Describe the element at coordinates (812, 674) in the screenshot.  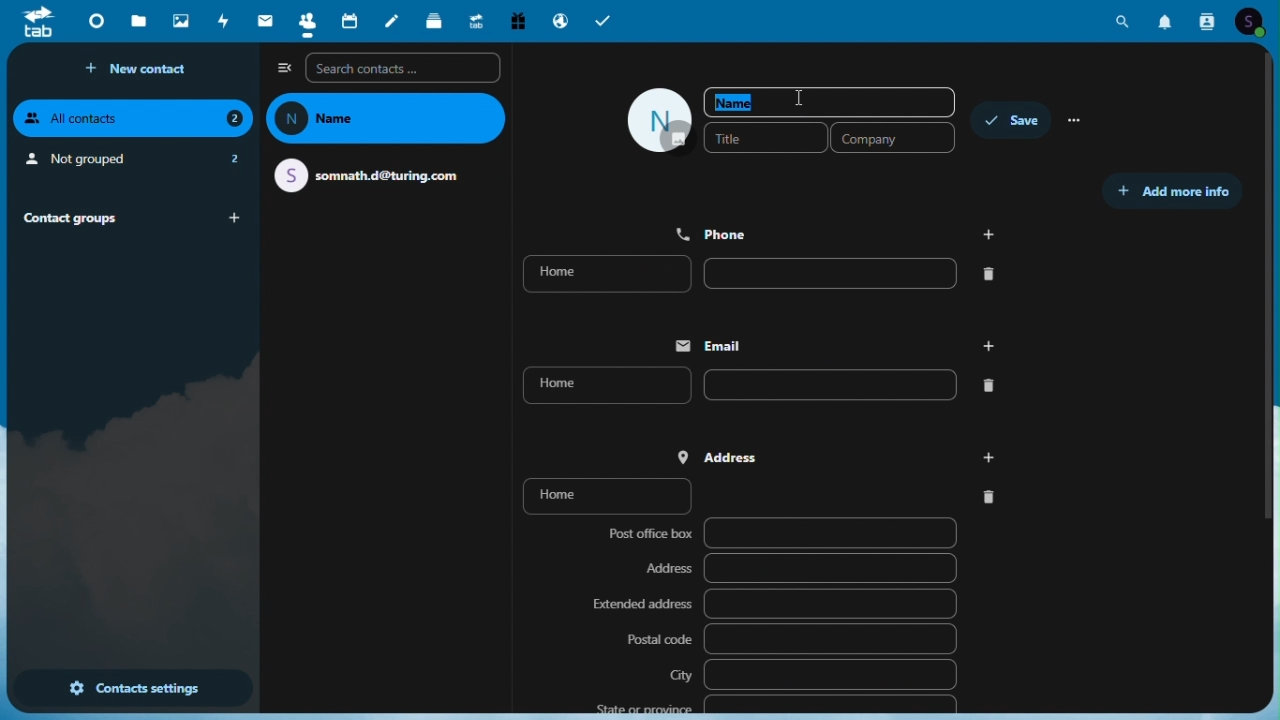
I see `City` at that location.